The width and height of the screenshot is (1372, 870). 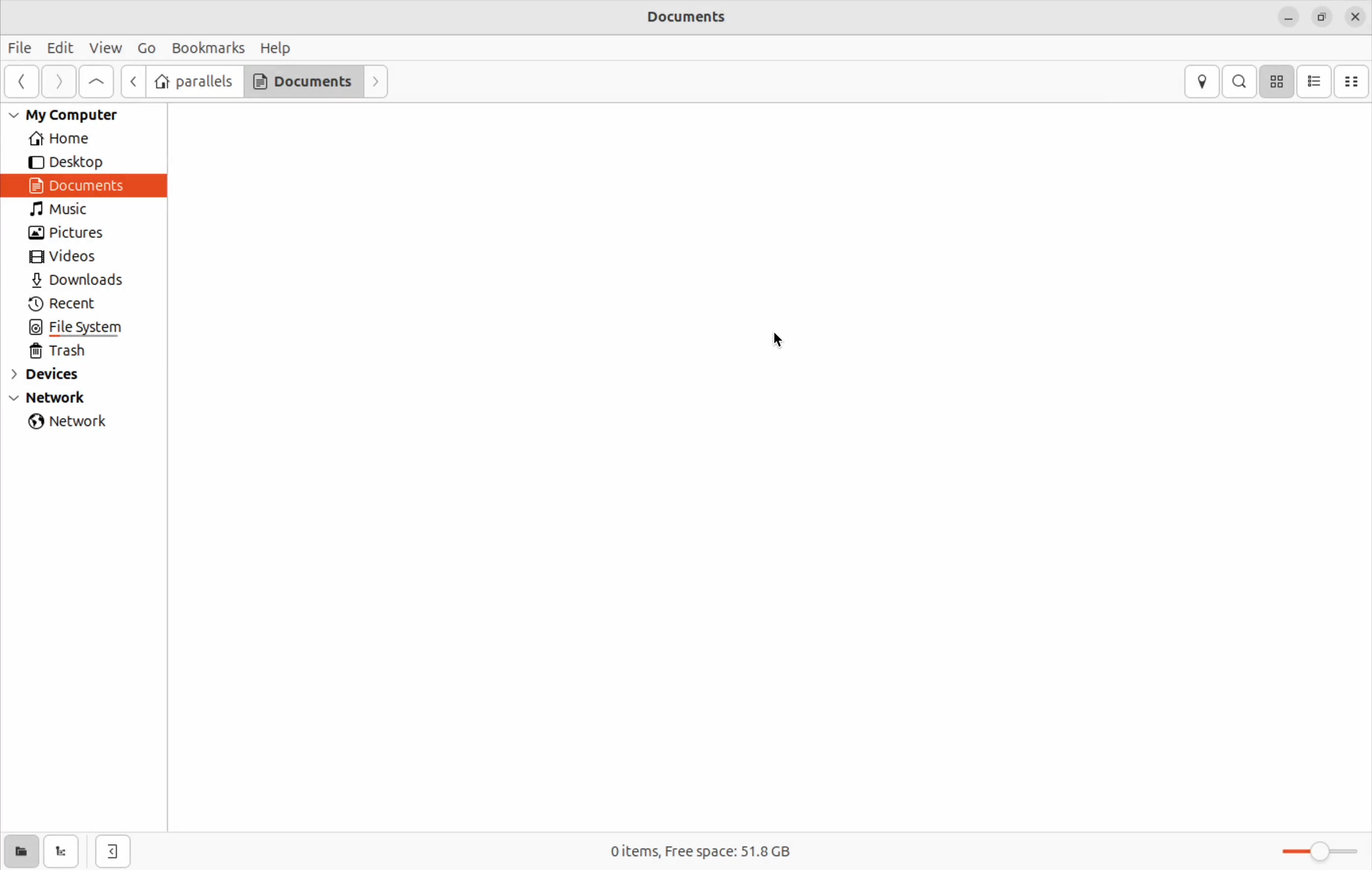 I want to click on hide side bar, so click(x=112, y=852).